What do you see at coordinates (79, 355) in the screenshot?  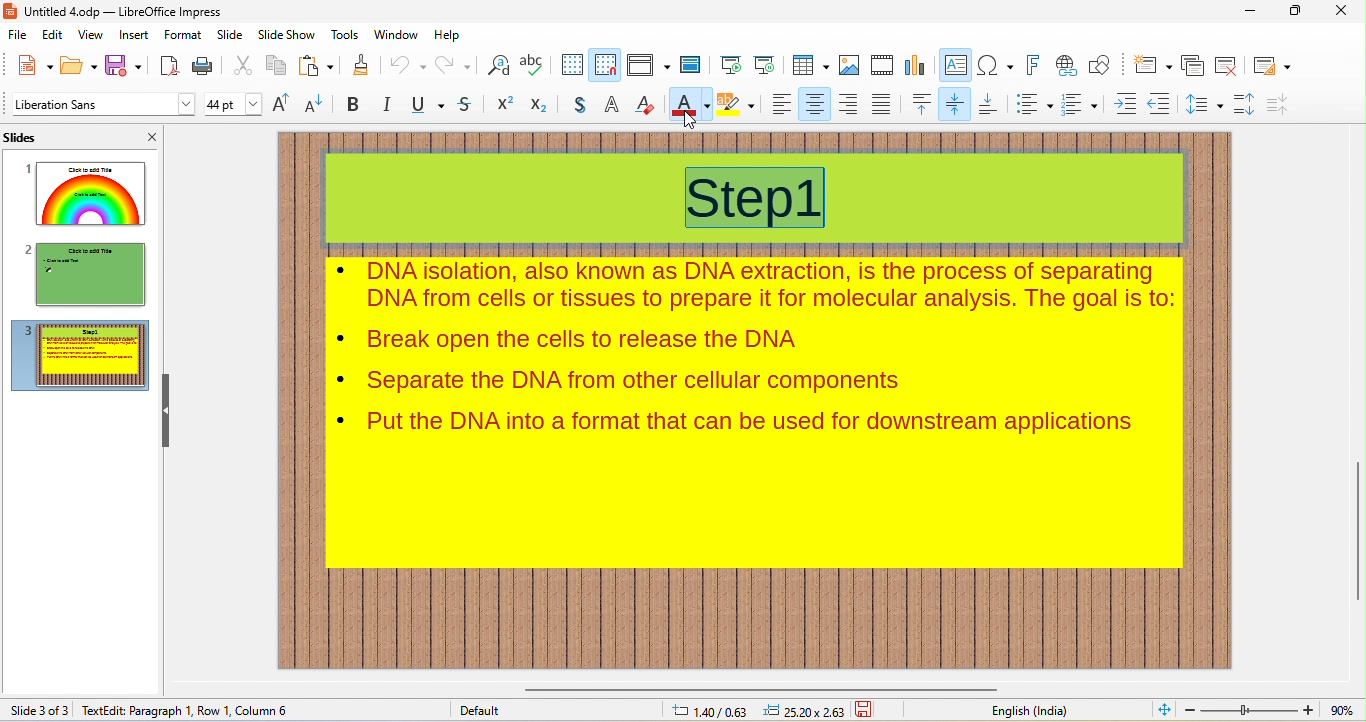 I see `slide3` at bounding box center [79, 355].